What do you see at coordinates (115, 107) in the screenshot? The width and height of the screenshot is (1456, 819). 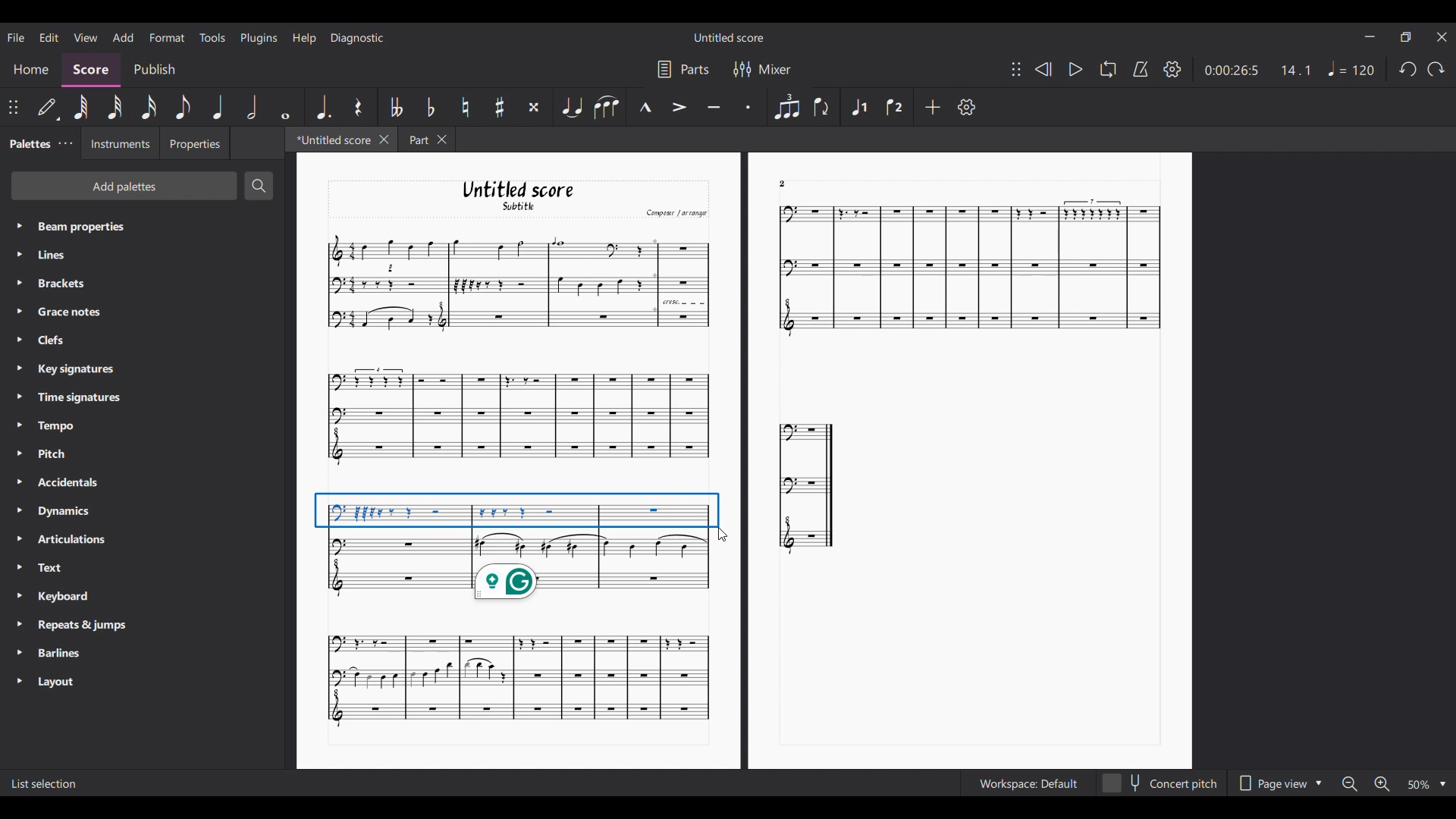 I see `32nd note` at bounding box center [115, 107].